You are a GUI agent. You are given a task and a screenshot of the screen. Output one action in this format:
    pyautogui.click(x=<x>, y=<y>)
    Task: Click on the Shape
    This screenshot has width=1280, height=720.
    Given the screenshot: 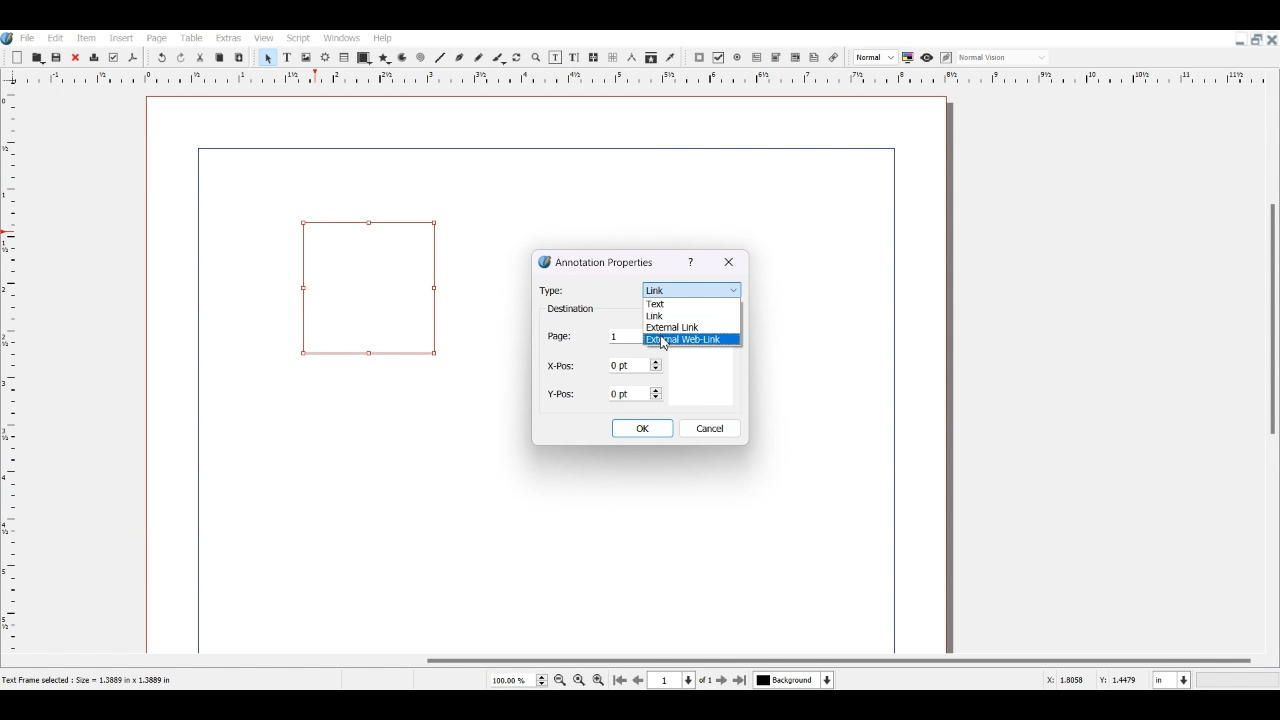 What is the action you would take?
    pyautogui.click(x=364, y=58)
    